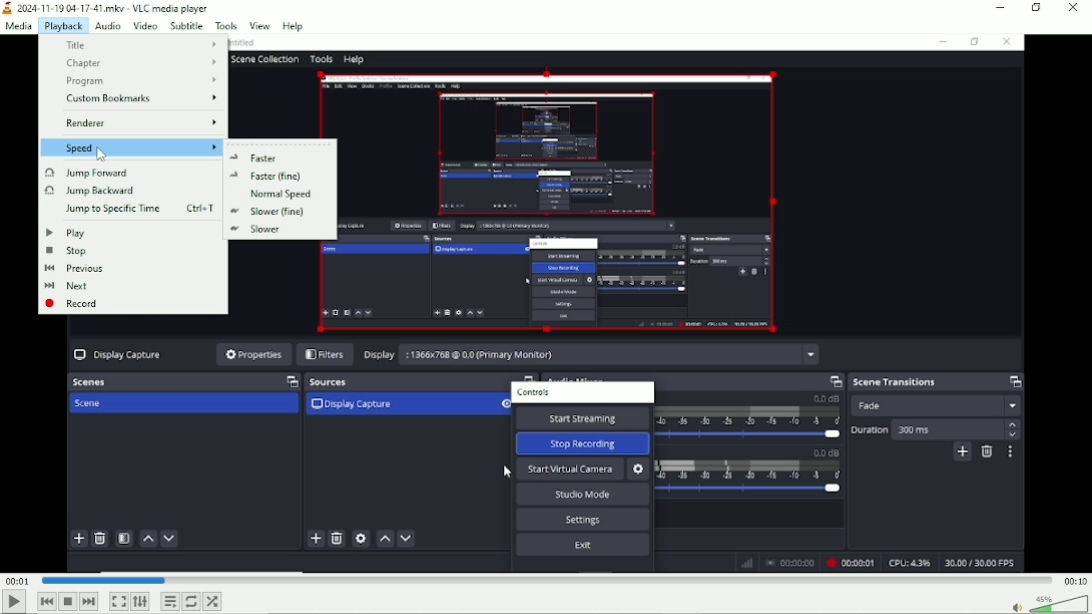 This screenshot has width=1092, height=614. Describe the element at coordinates (1038, 9) in the screenshot. I see `restore down` at that location.